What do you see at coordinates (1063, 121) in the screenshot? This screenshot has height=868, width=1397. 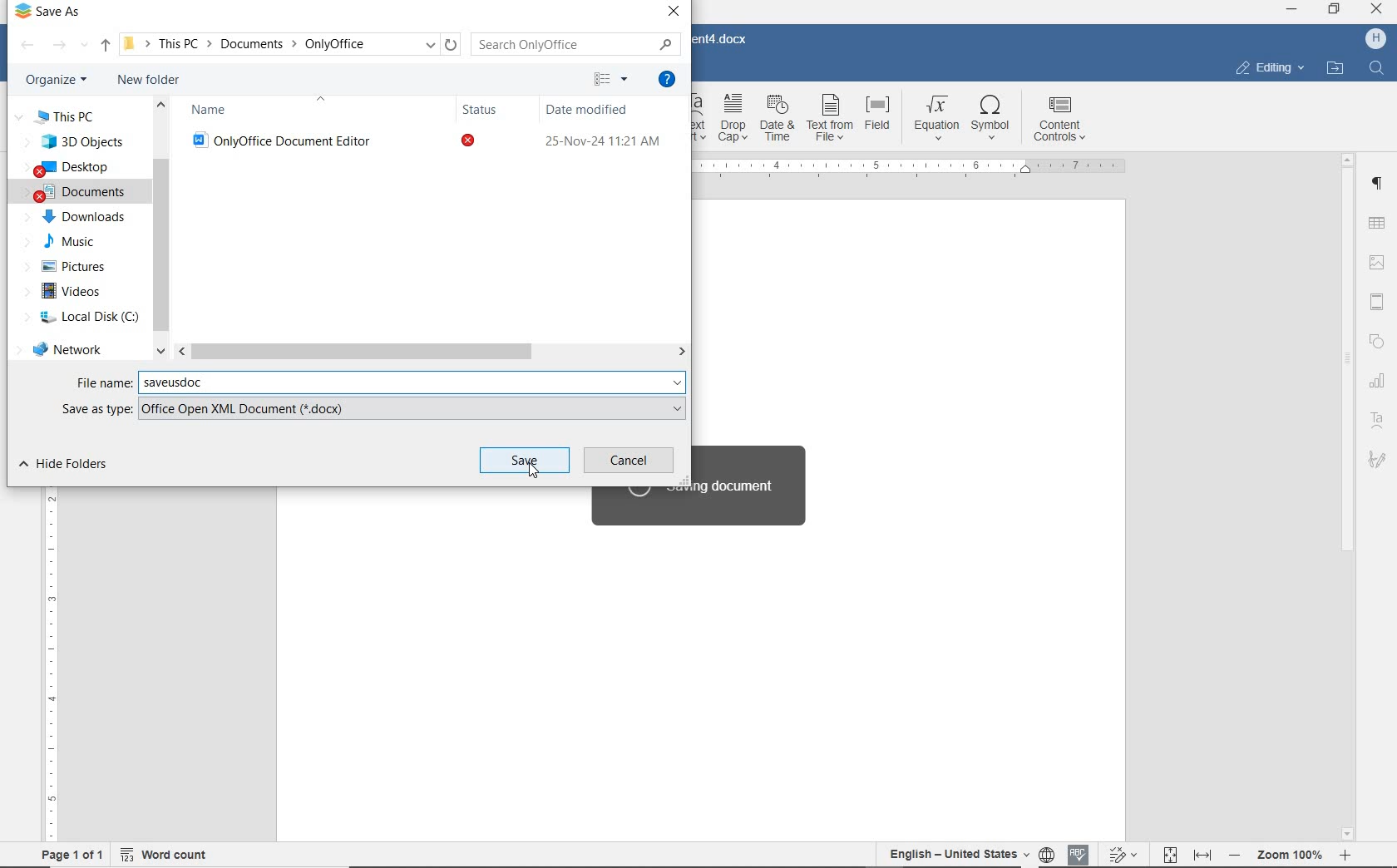 I see `content controls` at bounding box center [1063, 121].